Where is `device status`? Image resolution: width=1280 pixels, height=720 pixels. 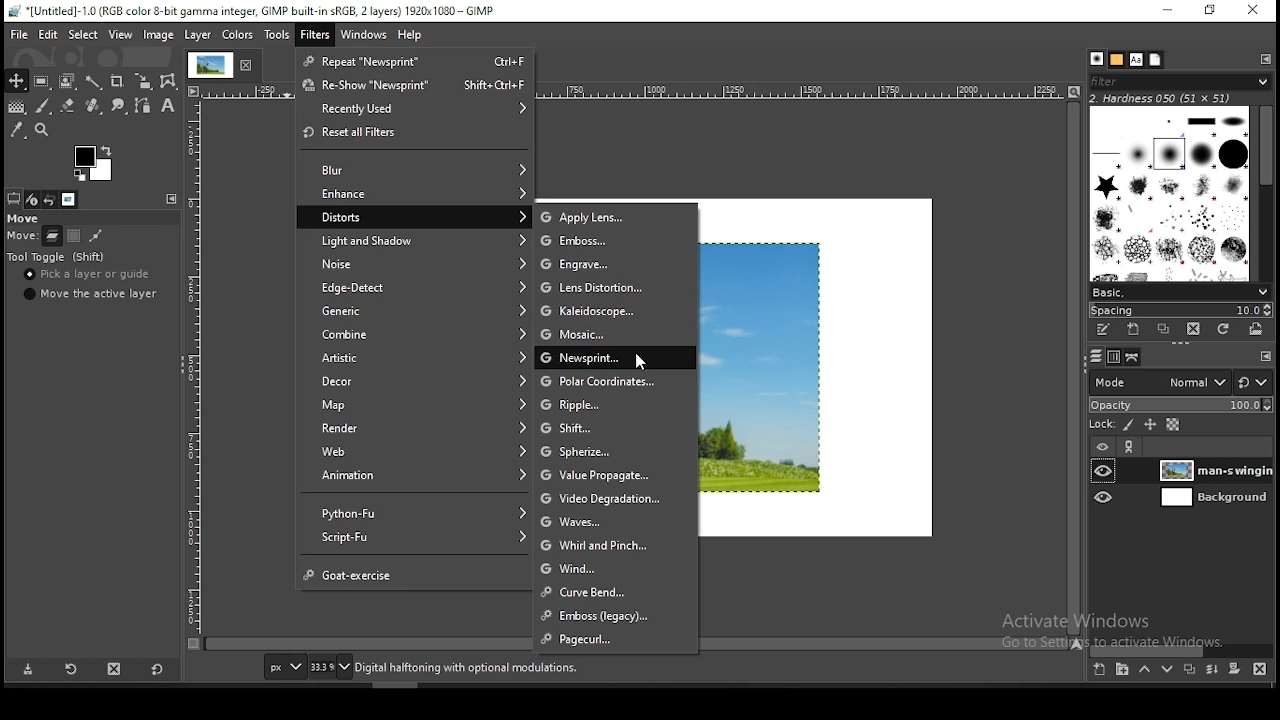 device status is located at coordinates (32, 199).